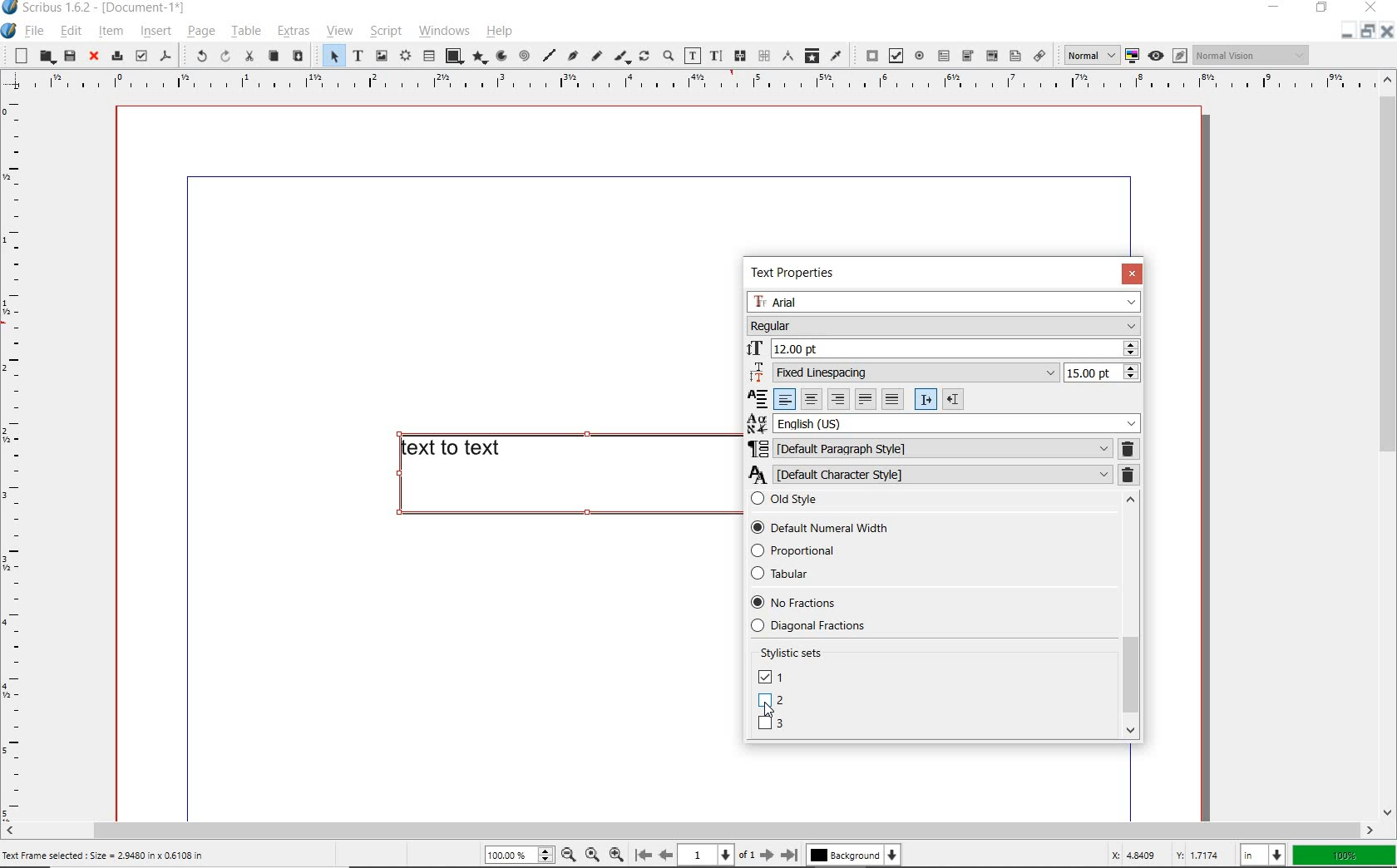  I want to click on 1 of 1, so click(716, 855).